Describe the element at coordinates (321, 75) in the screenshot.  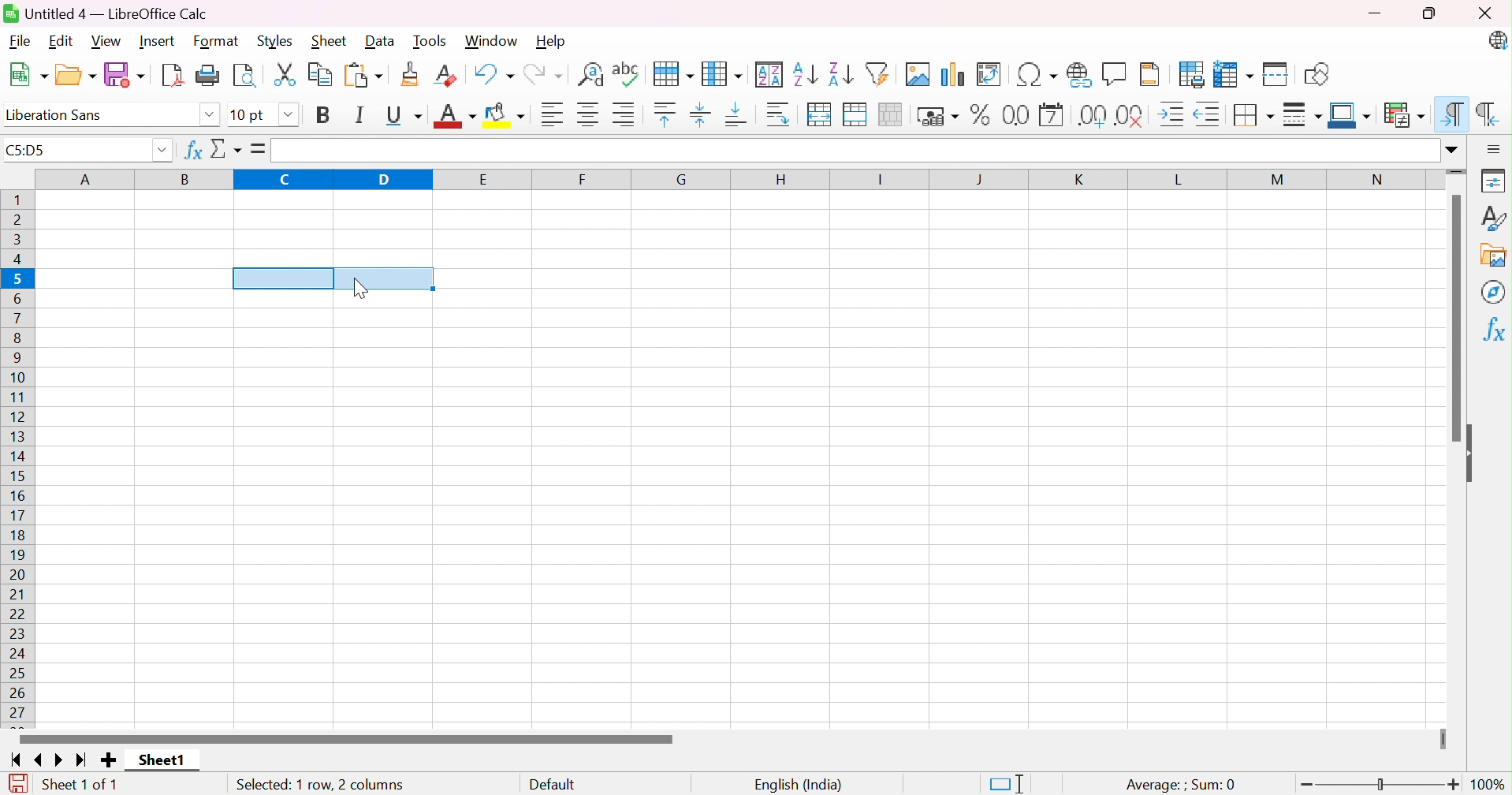
I see `Copy` at that location.